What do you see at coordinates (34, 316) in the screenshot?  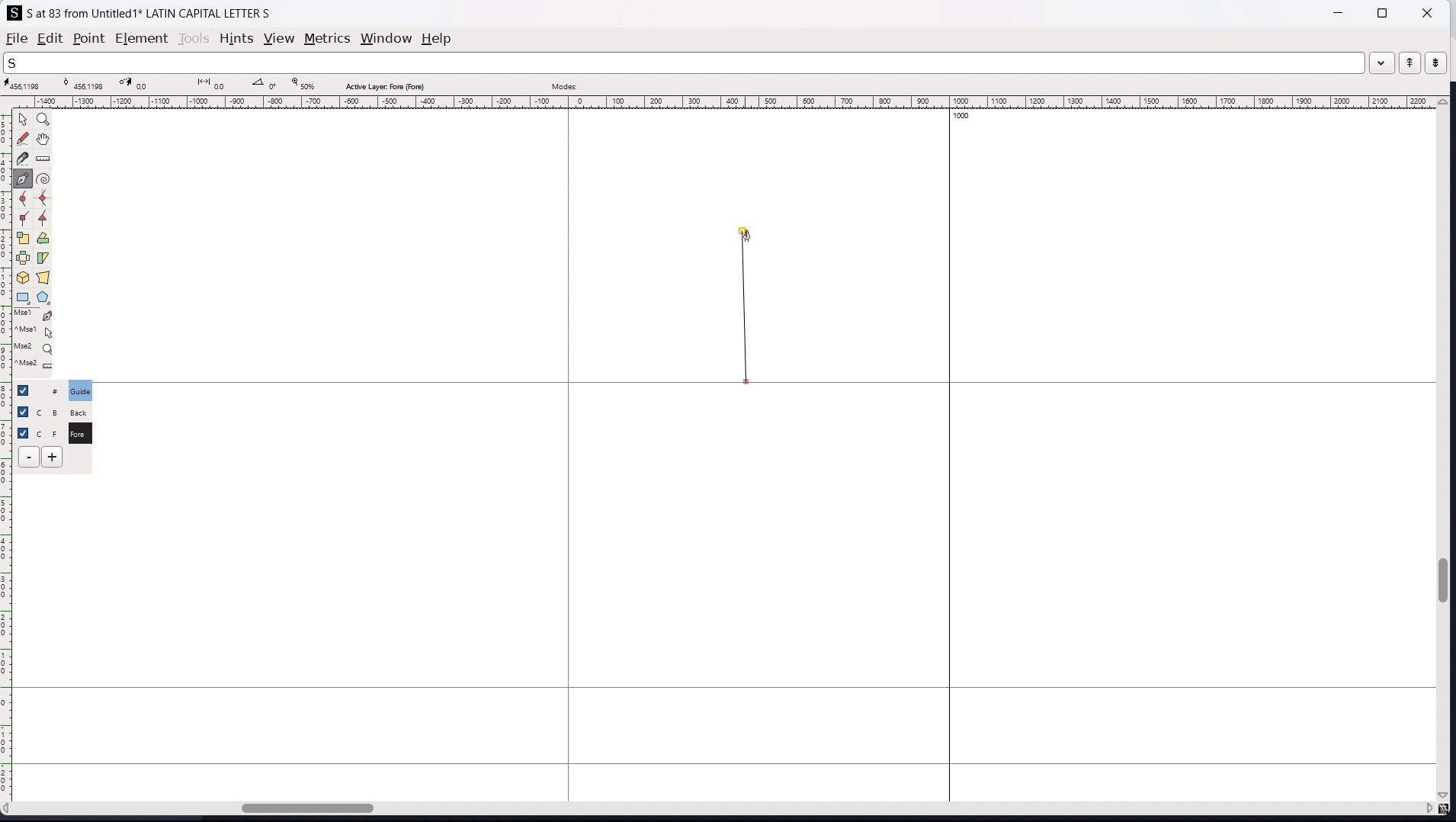 I see `Mse1` at bounding box center [34, 316].